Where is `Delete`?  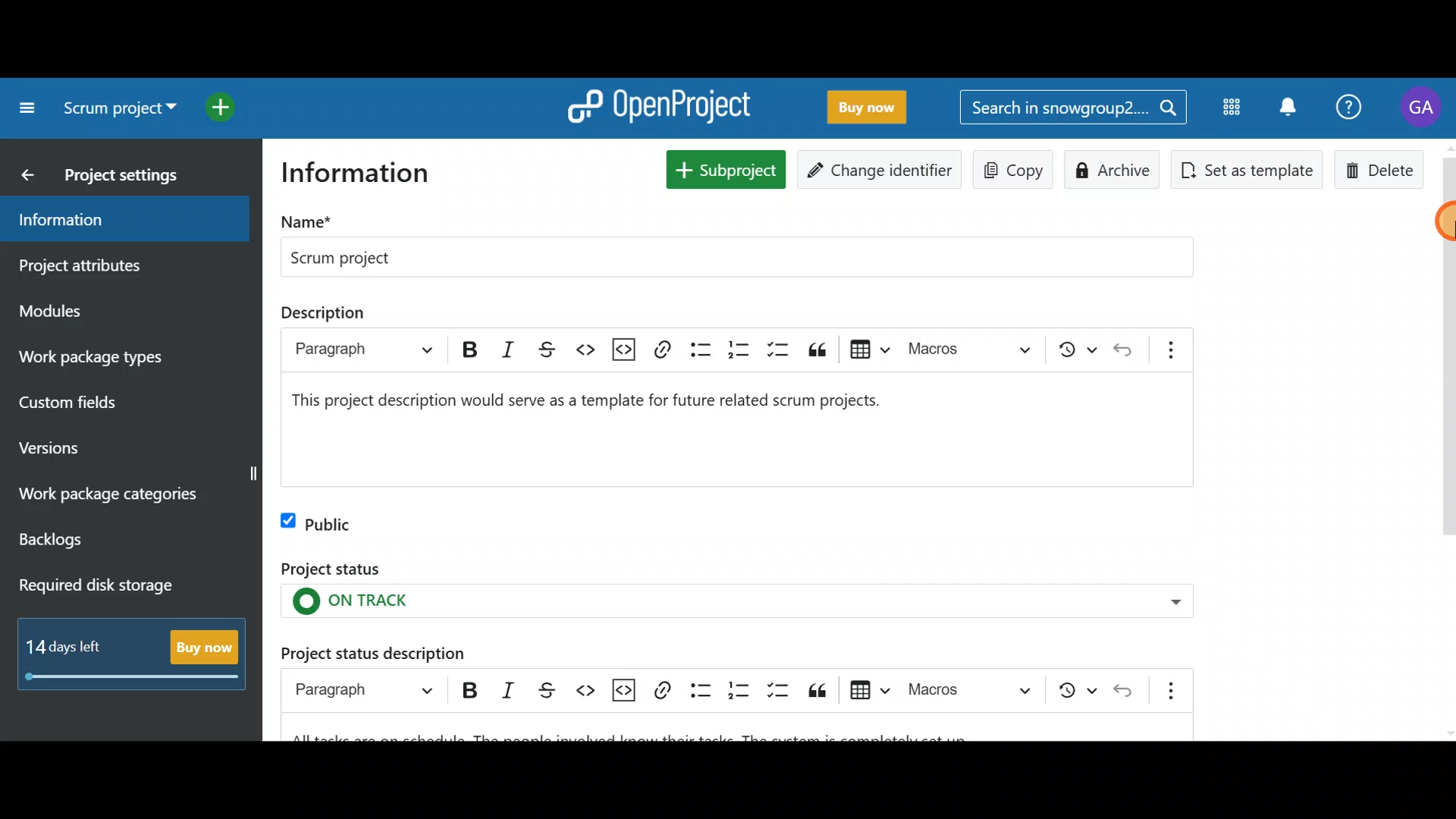
Delete is located at coordinates (1389, 169).